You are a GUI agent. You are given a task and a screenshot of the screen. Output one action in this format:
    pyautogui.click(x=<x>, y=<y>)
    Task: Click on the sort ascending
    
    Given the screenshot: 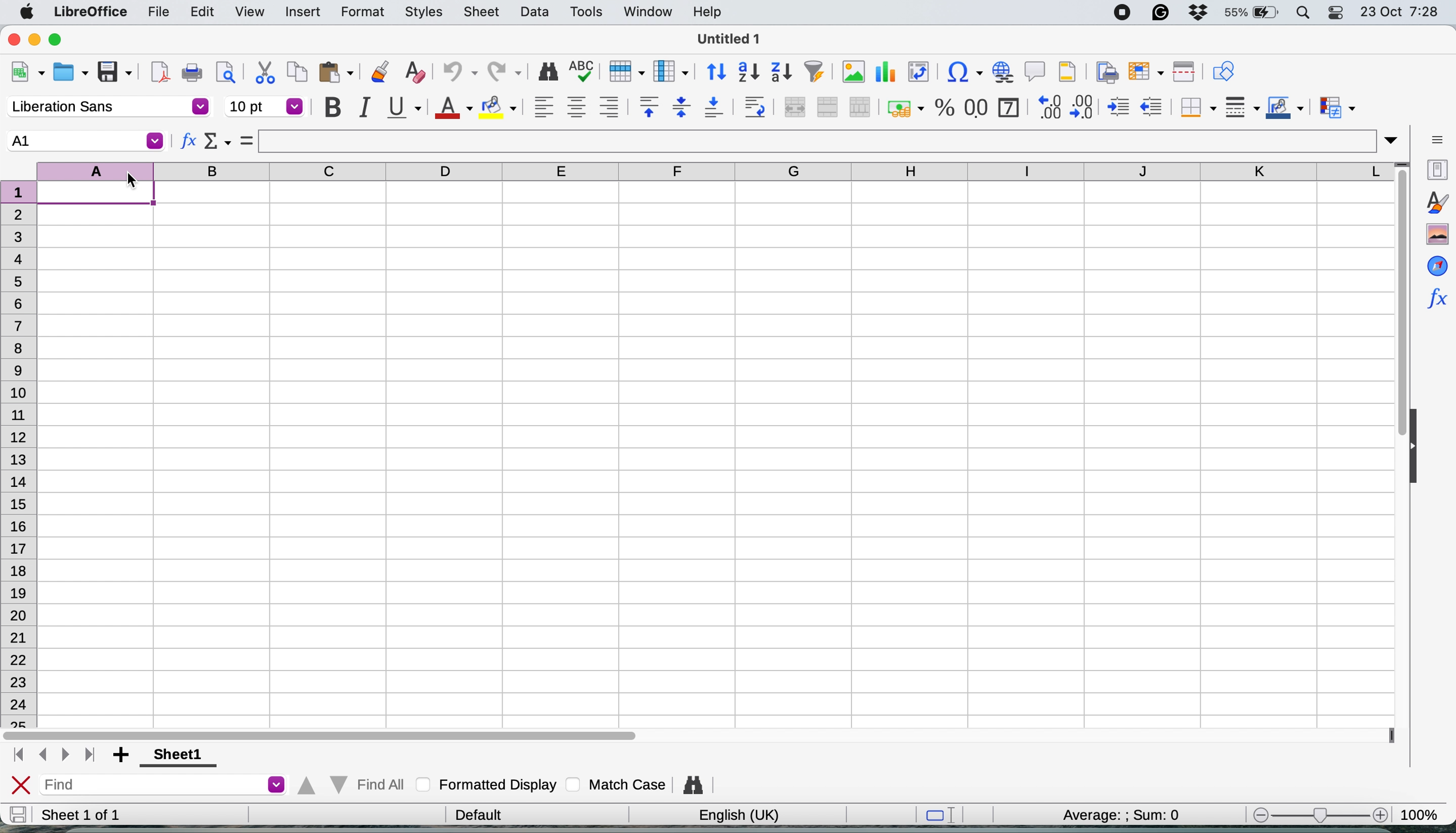 What is the action you would take?
    pyautogui.click(x=749, y=72)
    